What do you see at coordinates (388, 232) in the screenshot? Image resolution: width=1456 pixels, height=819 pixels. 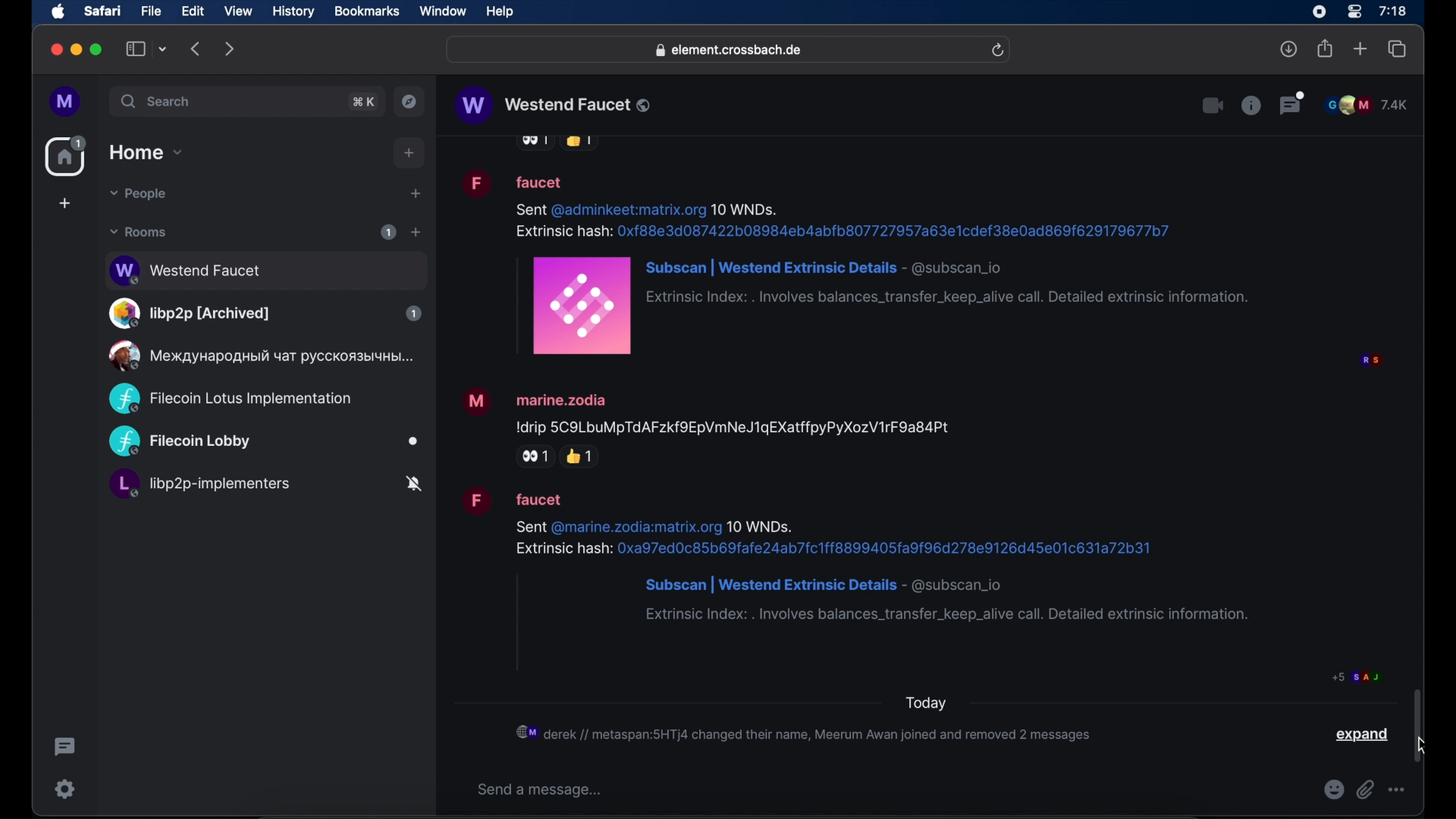 I see `1` at bounding box center [388, 232].